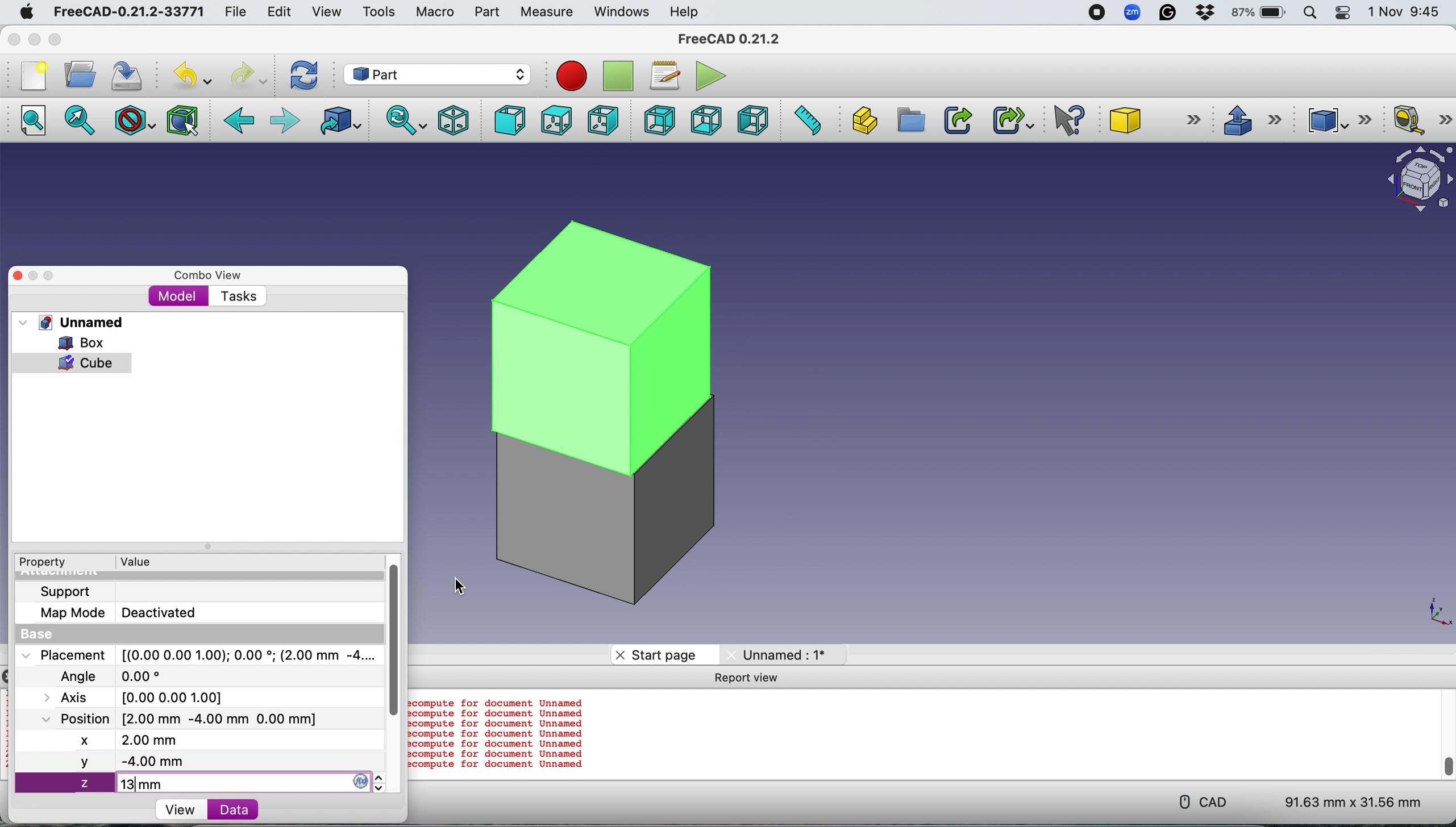 The width and height of the screenshot is (1456, 827). Describe the element at coordinates (1433, 613) in the screenshot. I see `x-y plane` at that location.